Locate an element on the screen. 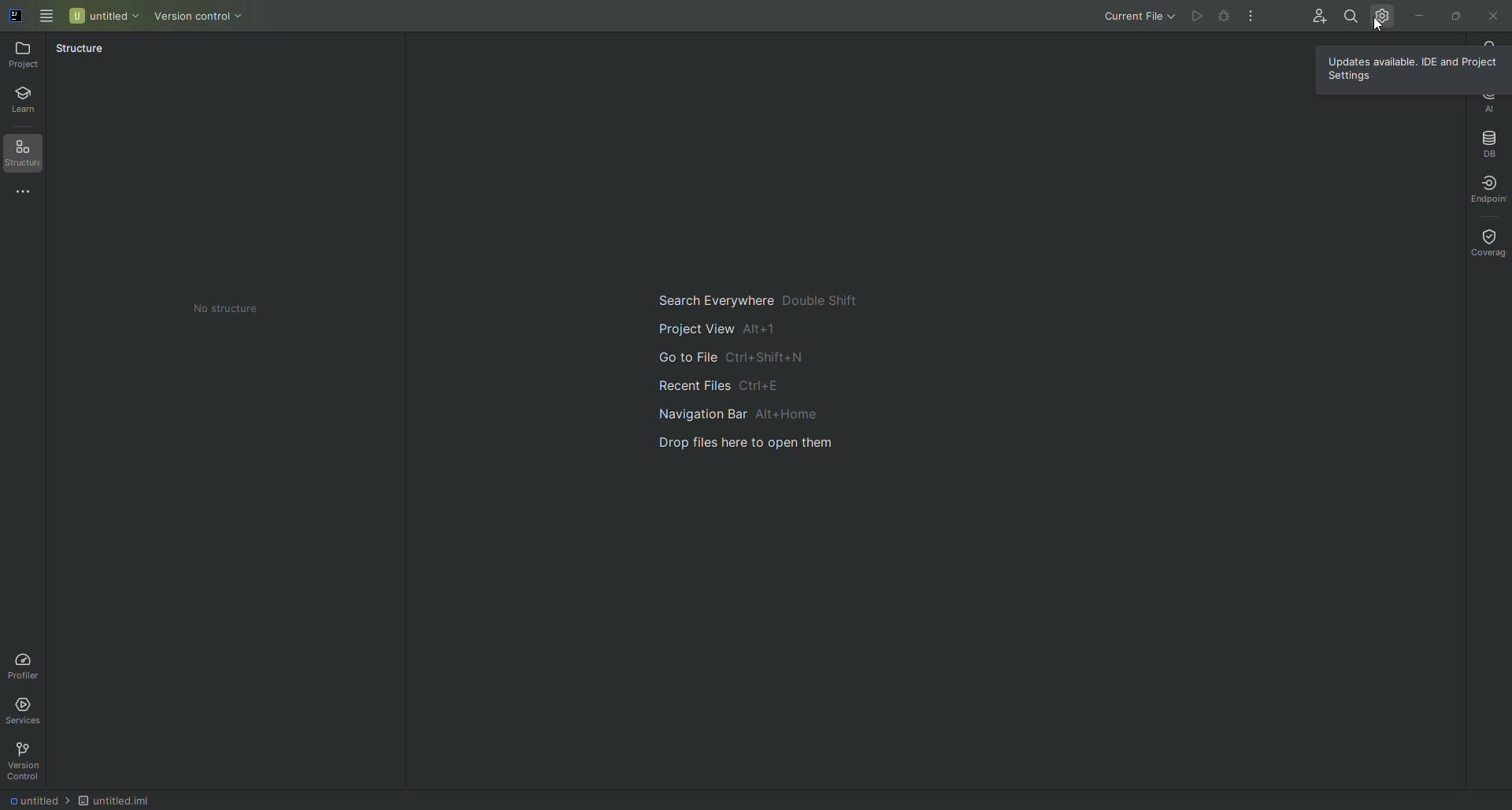 This screenshot has height=810, width=1512. Endpoint is located at coordinates (1482, 188).